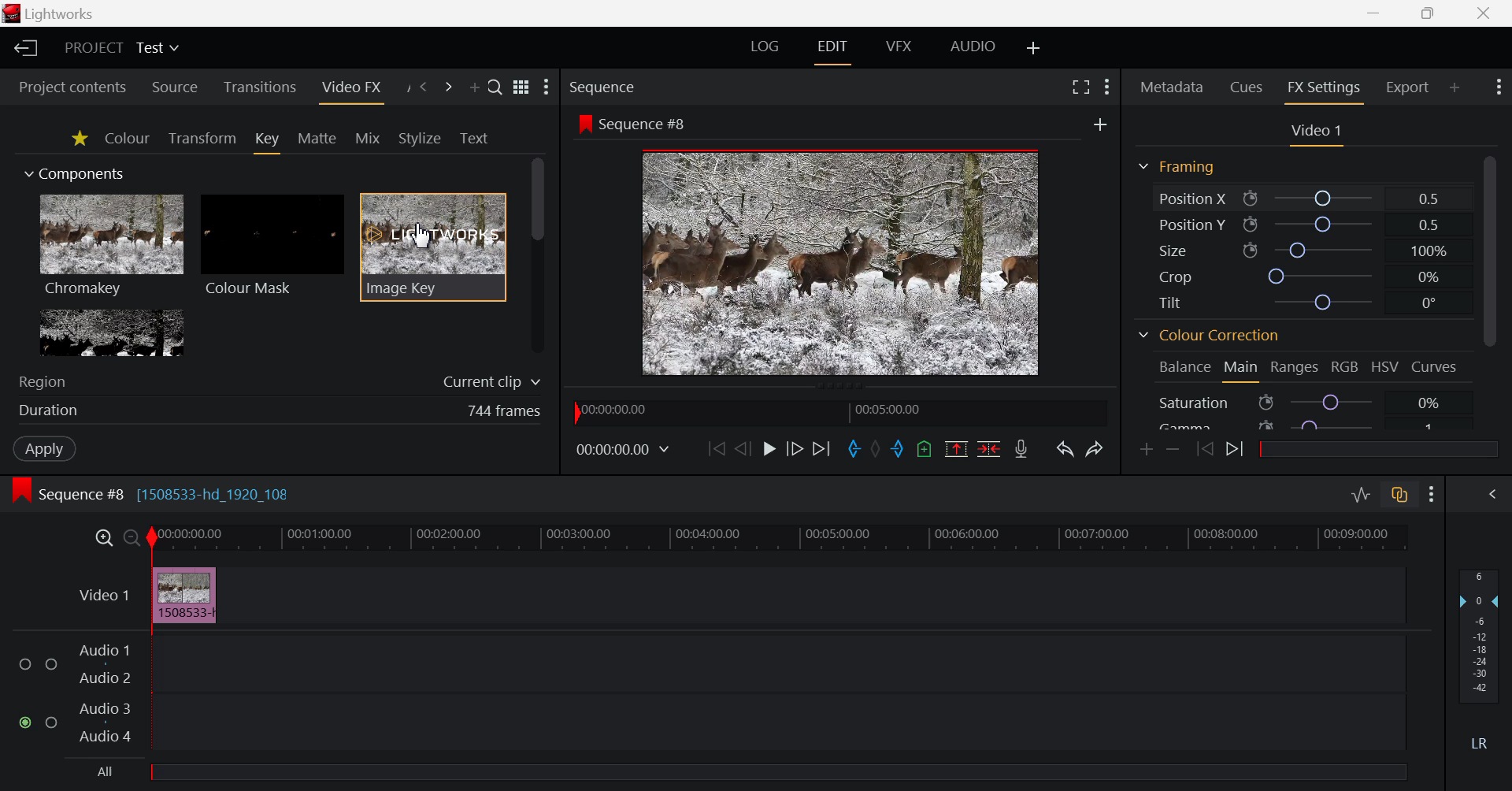 This screenshot has height=791, width=1512. Describe the element at coordinates (52, 664) in the screenshot. I see `checkbox` at that location.